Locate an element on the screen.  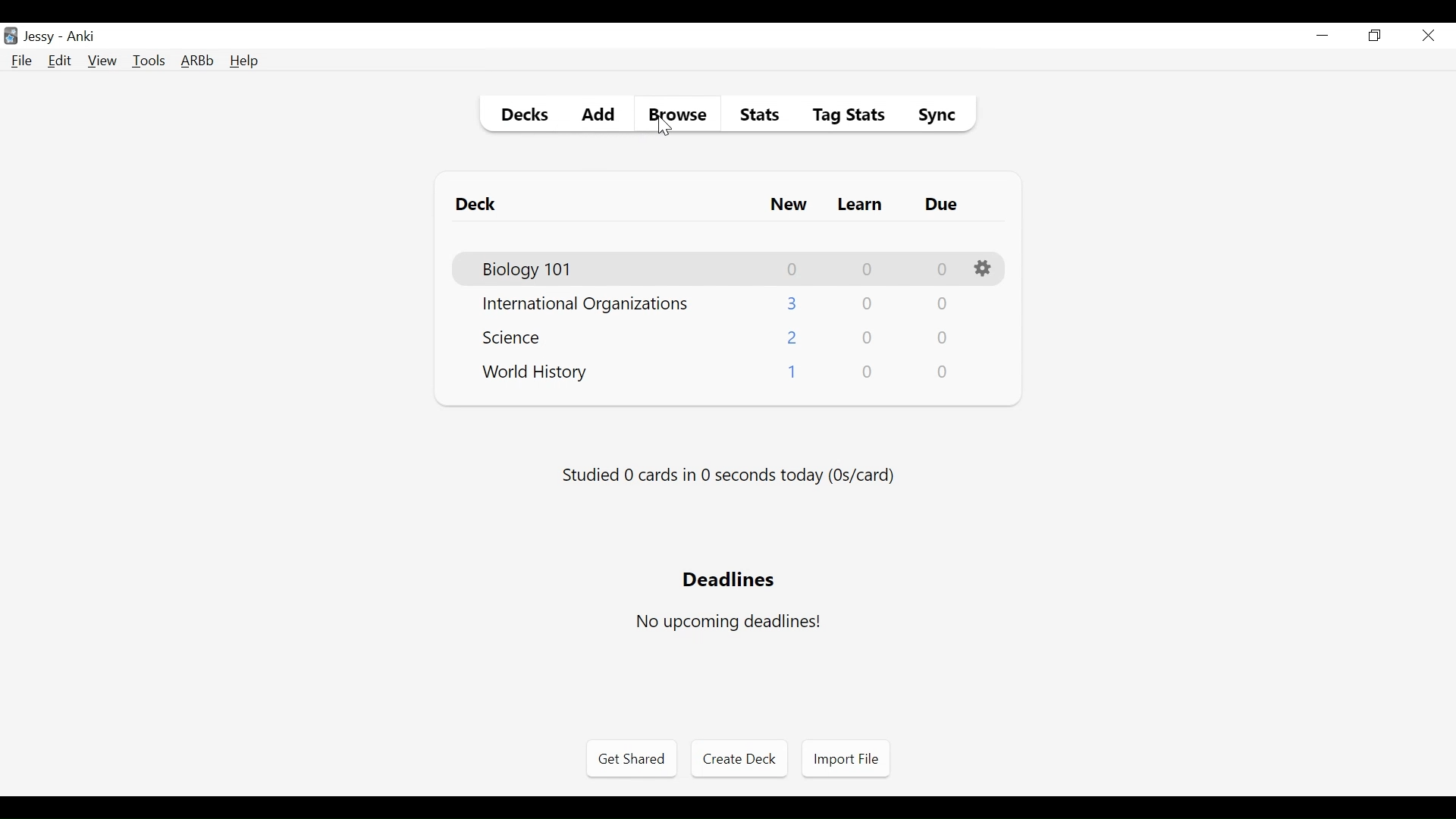
Learn Card Count is located at coordinates (866, 269).